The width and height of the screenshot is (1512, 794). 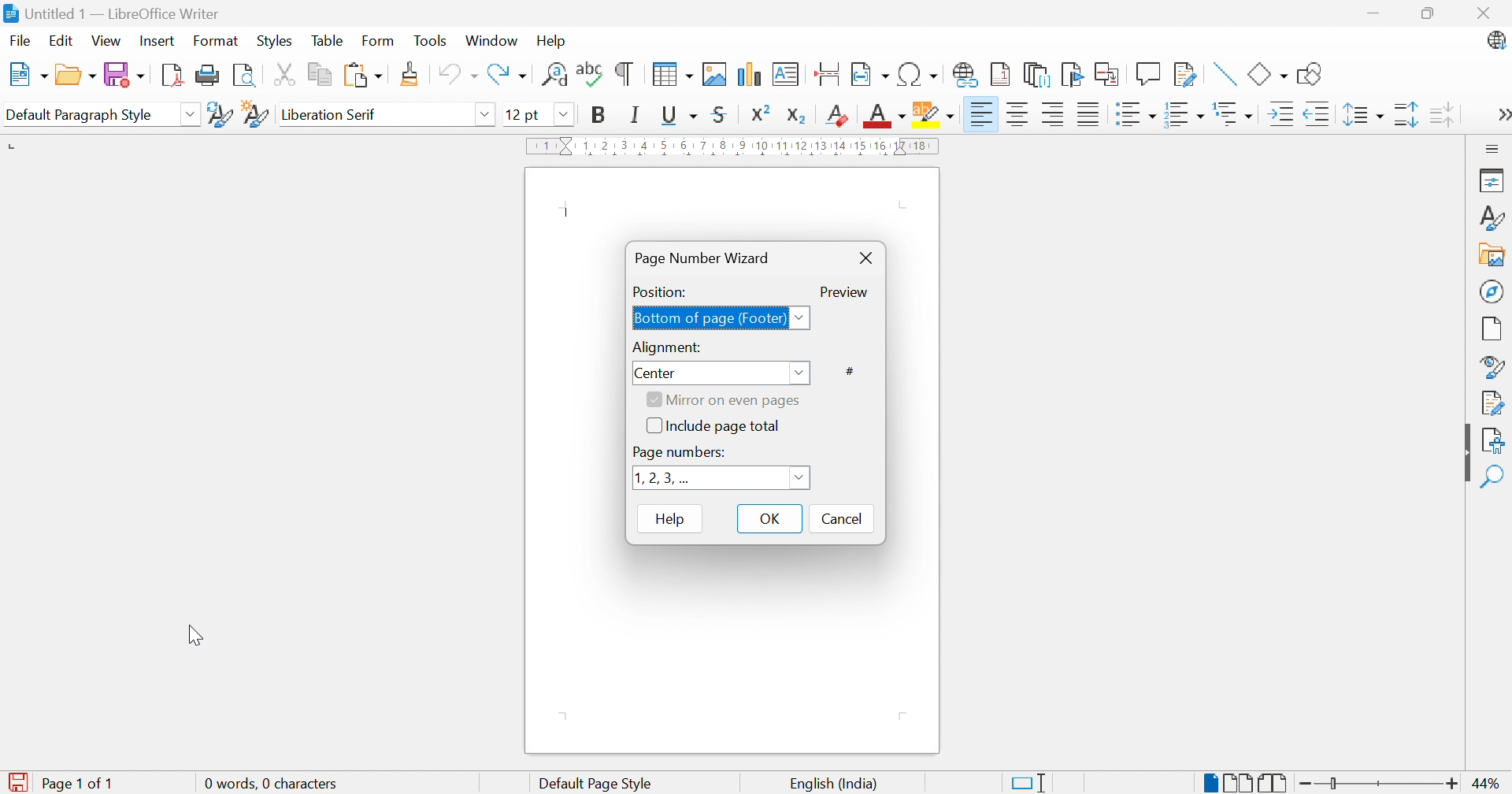 What do you see at coordinates (1053, 114) in the screenshot?
I see `Align right` at bounding box center [1053, 114].